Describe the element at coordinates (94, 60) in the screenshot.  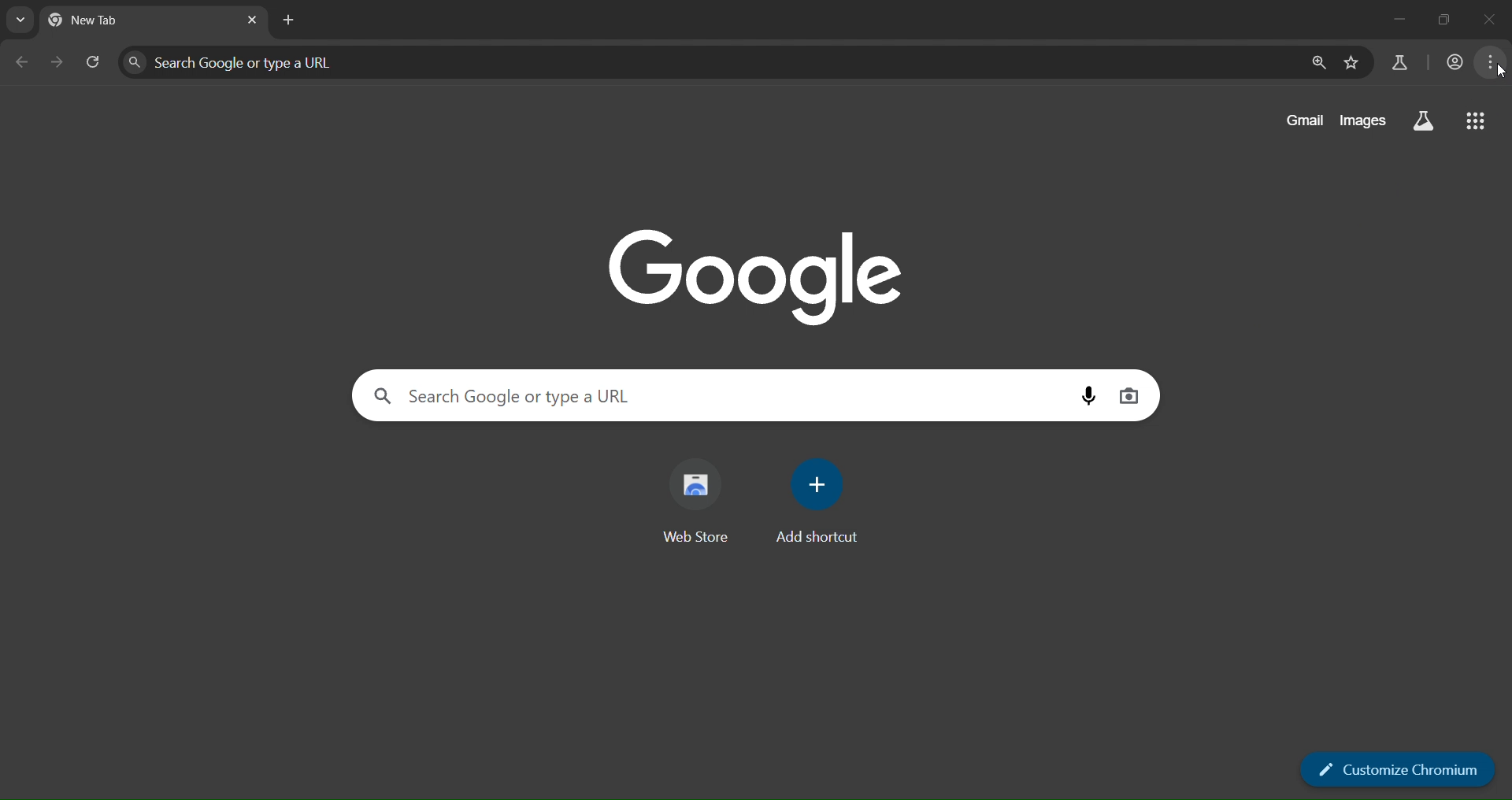
I see `reload page` at that location.